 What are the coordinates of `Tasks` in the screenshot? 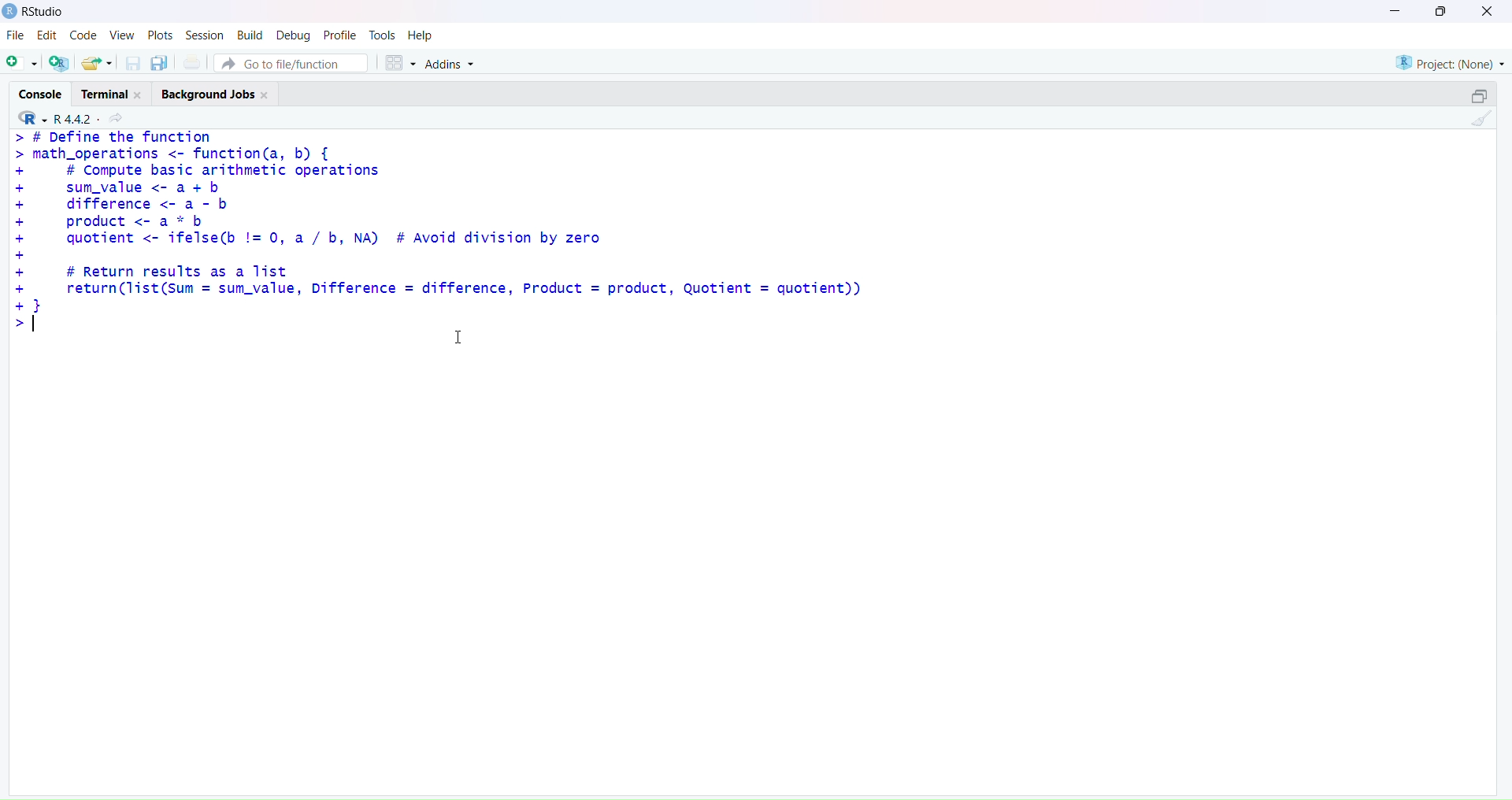 It's located at (382, 34).